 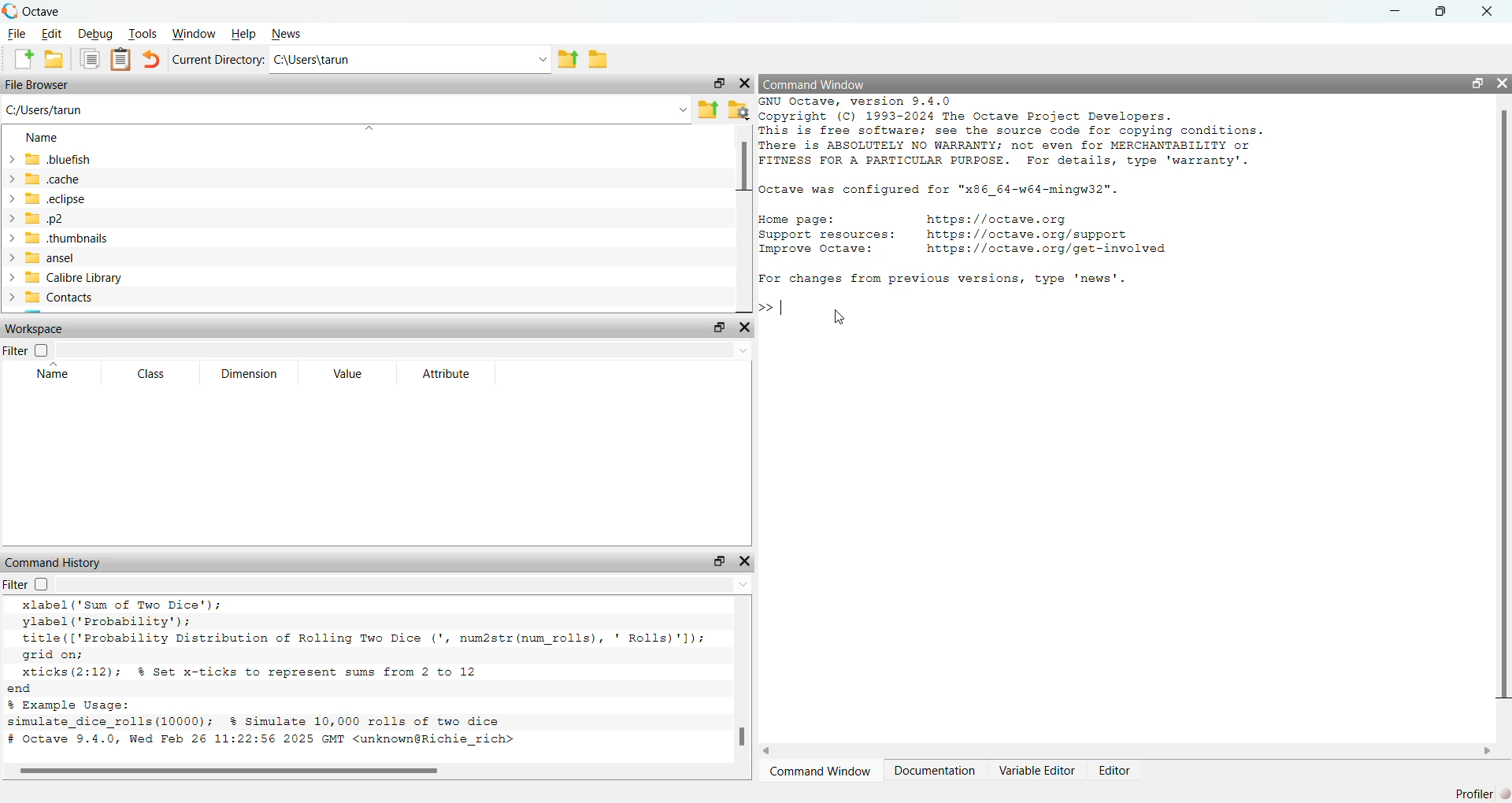 What do you see at coordinates (54, 300) in the screenshot?
I see `Contacts` at bounding box center [54, 300].